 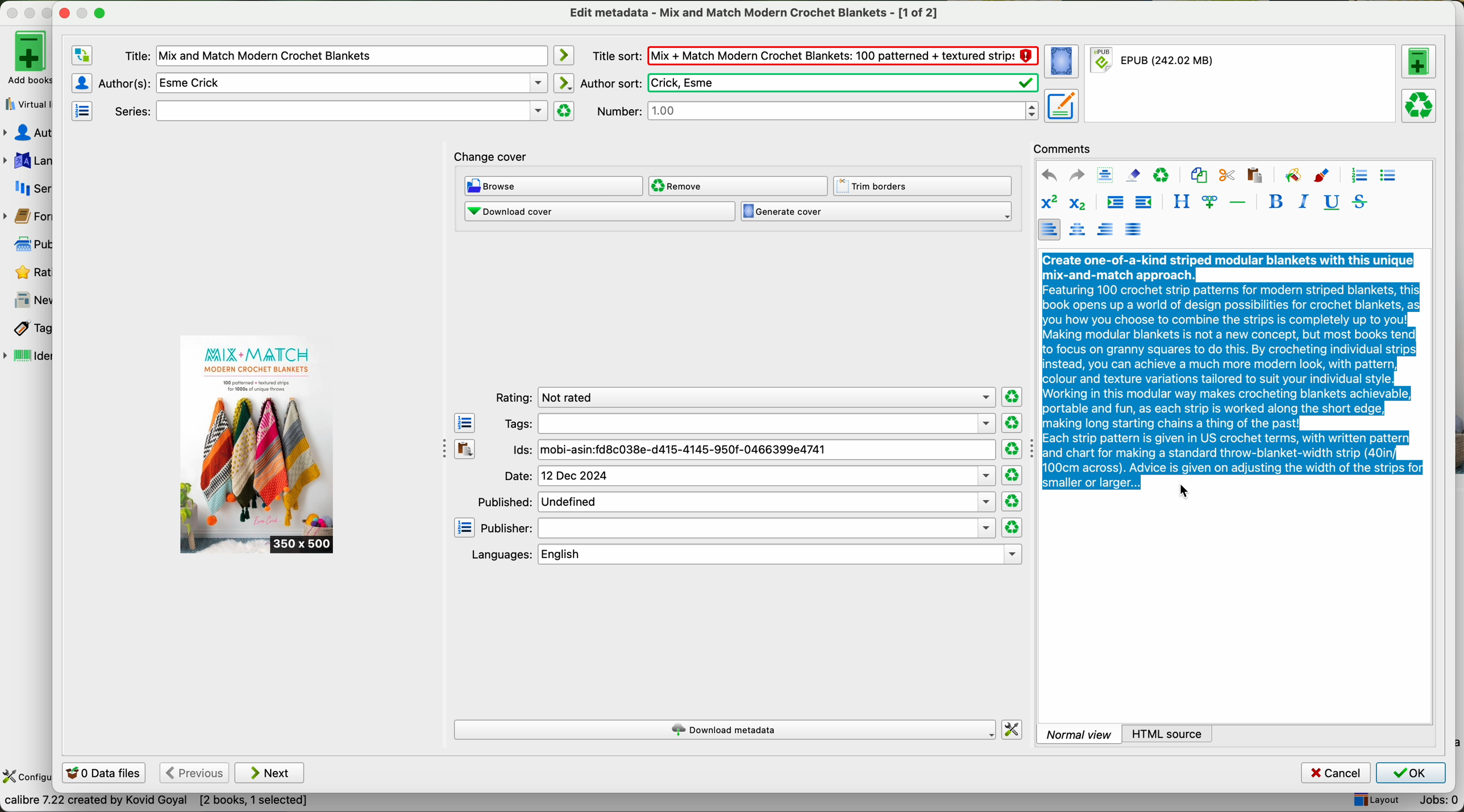 I want to click on browse, so click(x=554, y=187).